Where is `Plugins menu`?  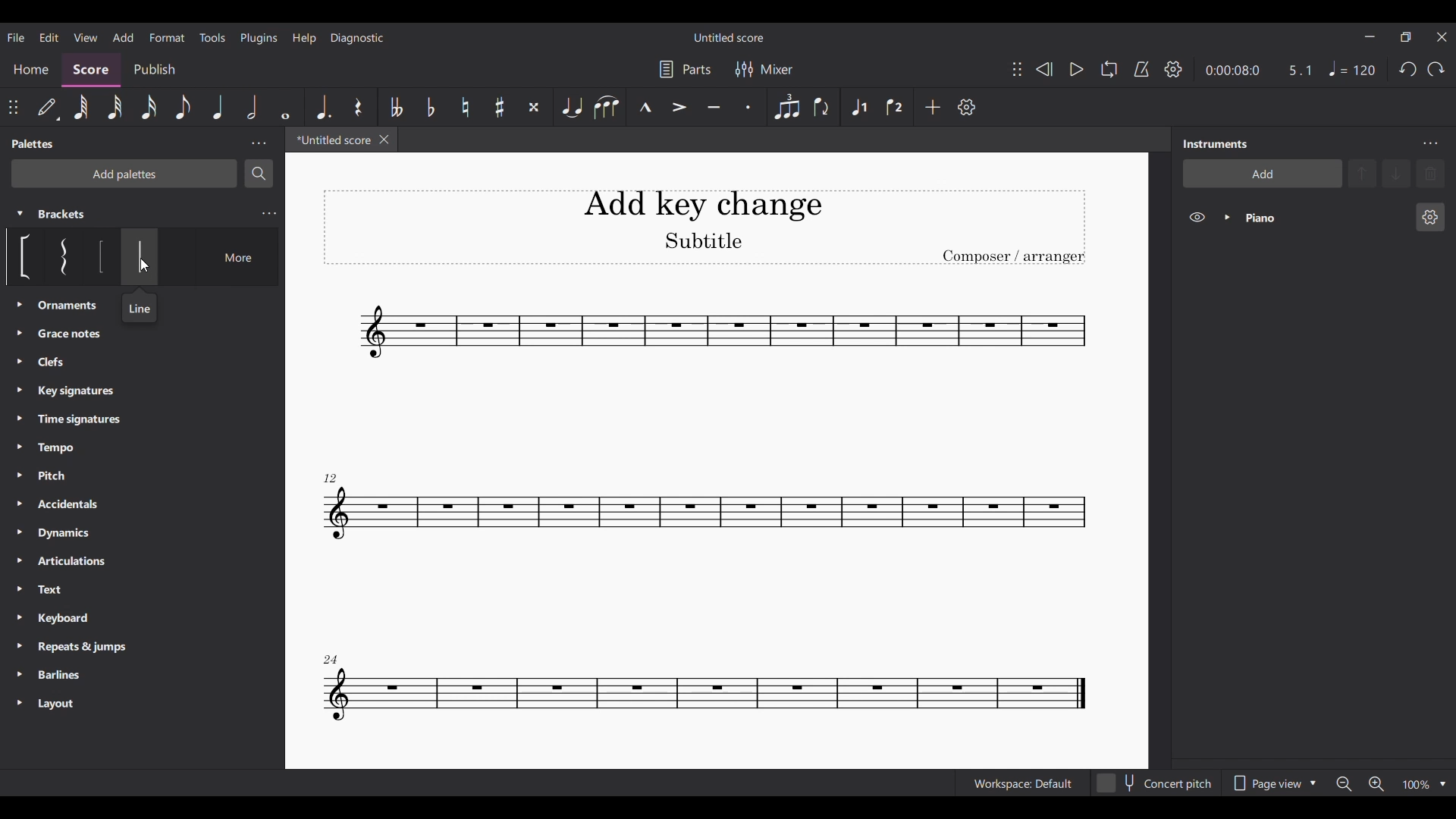
Plugins menu is located at coordinates (259, 37).